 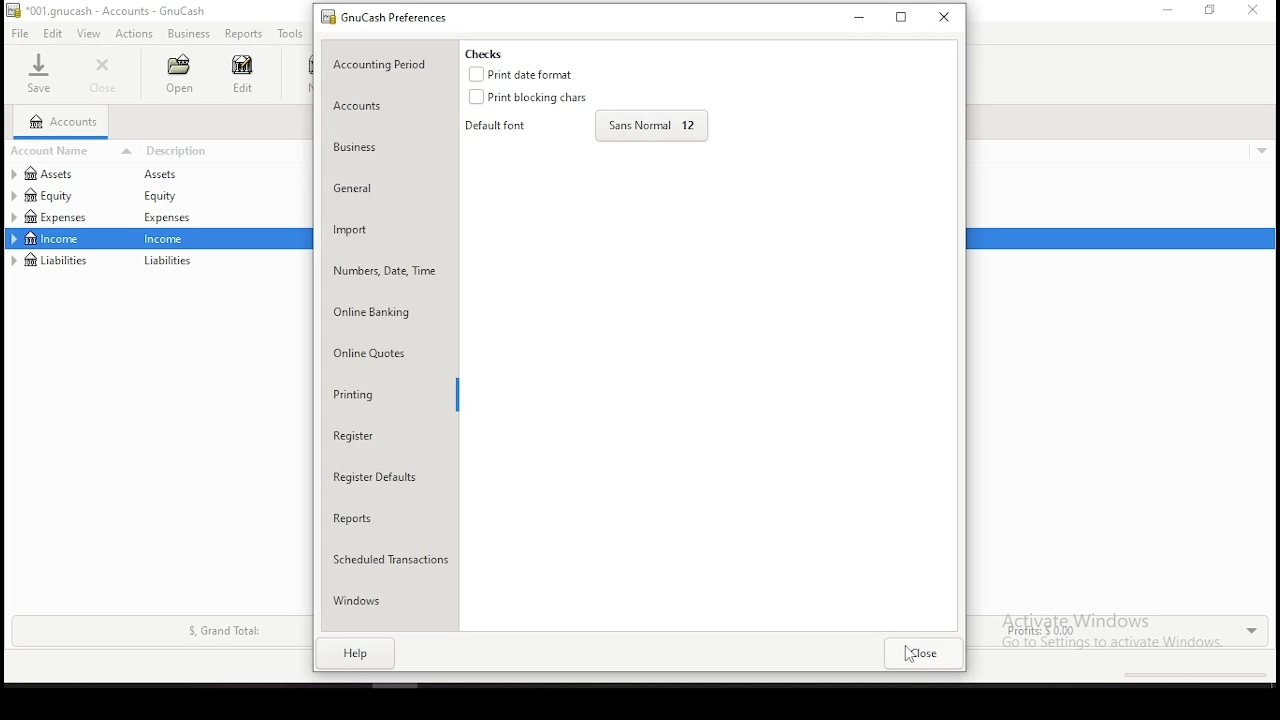 I want to click on assets, so click(x=66, y=174).